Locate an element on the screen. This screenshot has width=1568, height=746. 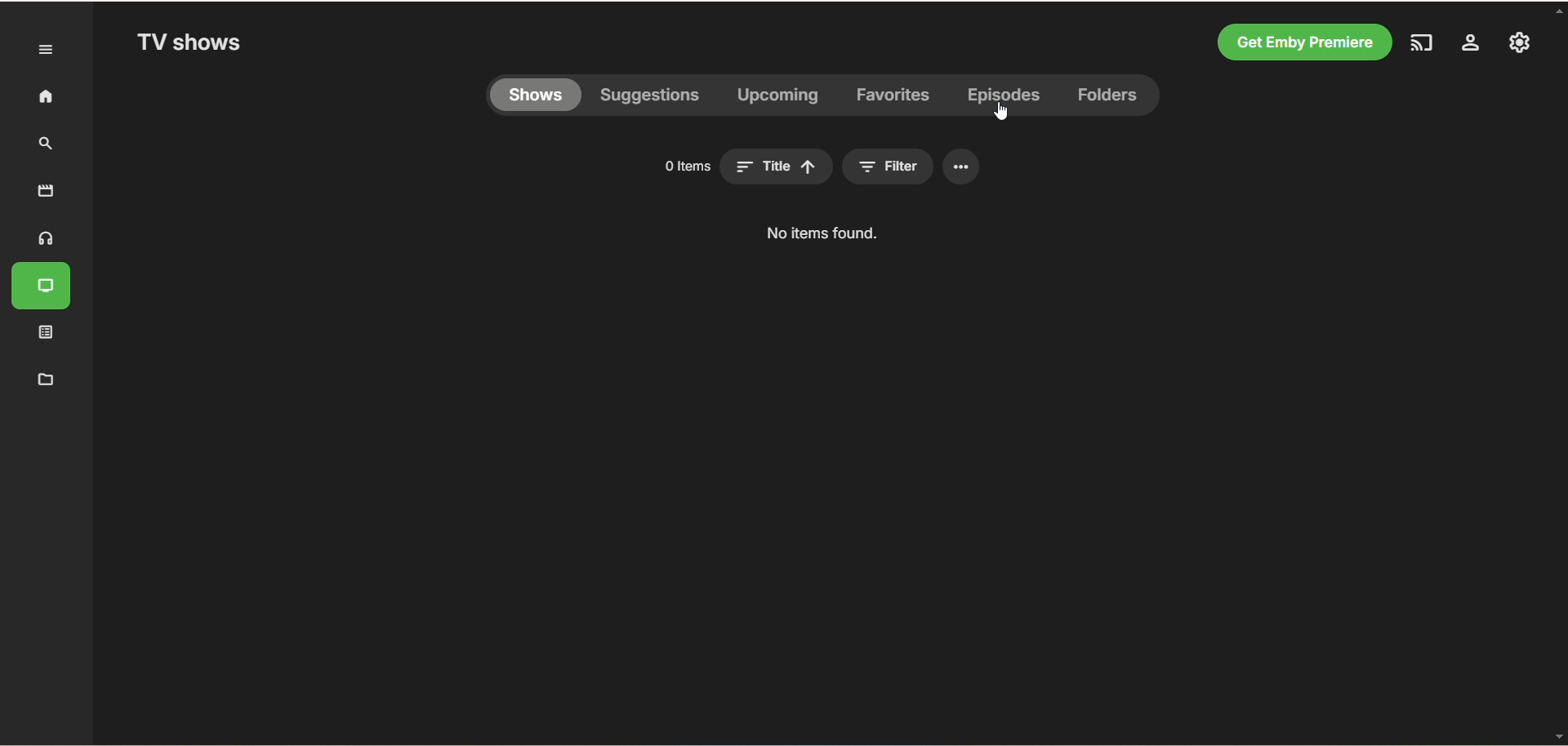
cursor is located at coordinates (1004, 113).